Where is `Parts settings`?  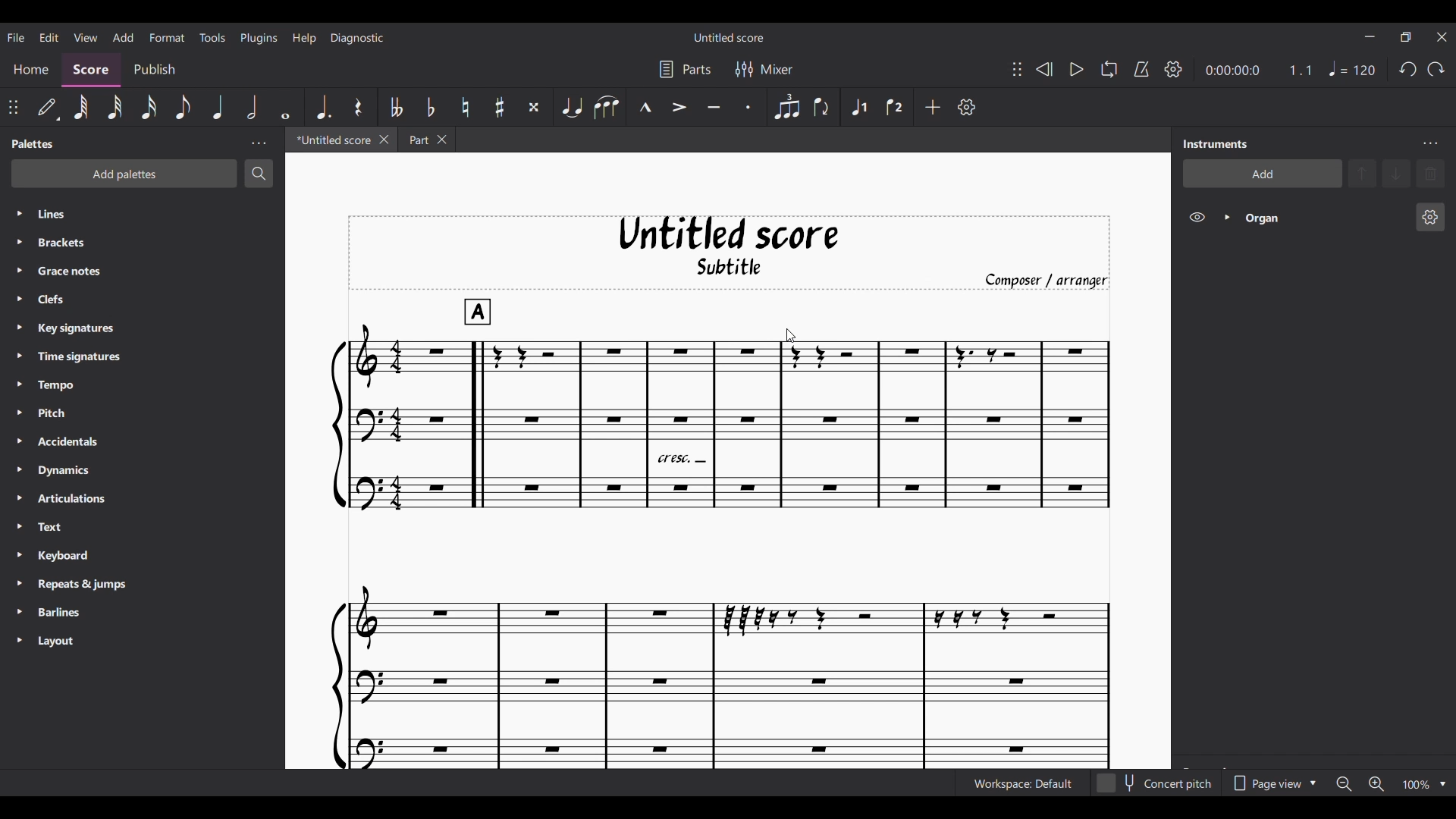
Parts settings is located at coordinates (685, 70).